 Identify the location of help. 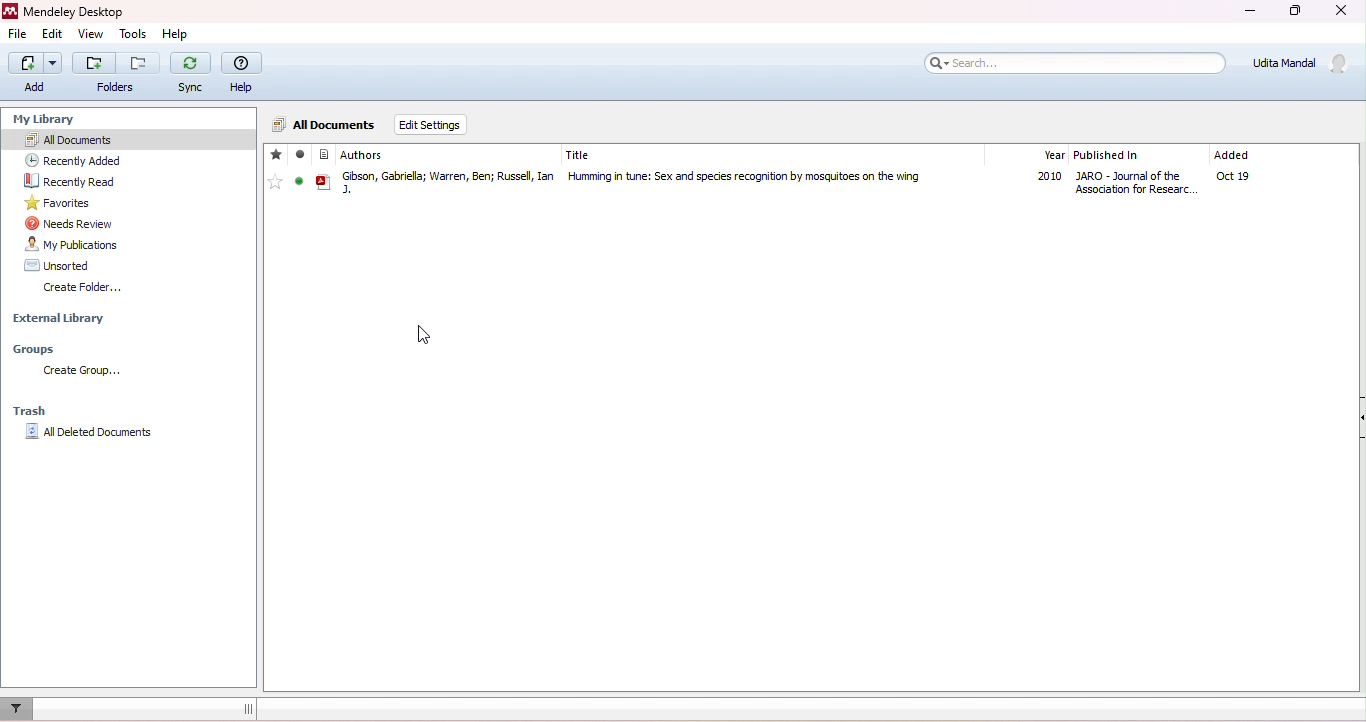
(176, 35).